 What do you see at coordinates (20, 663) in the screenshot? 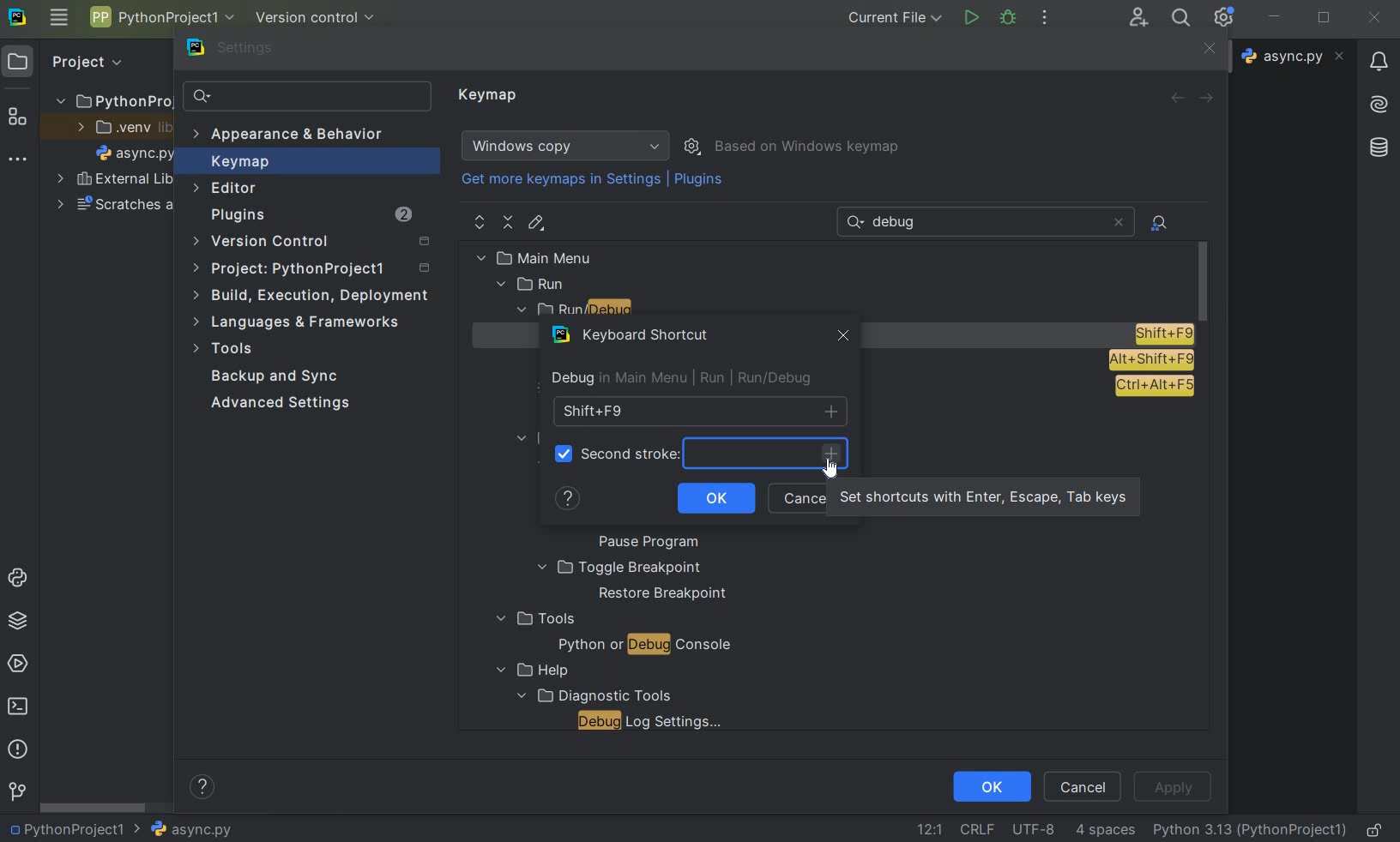
I see `services` at bounding box center [20, 663].